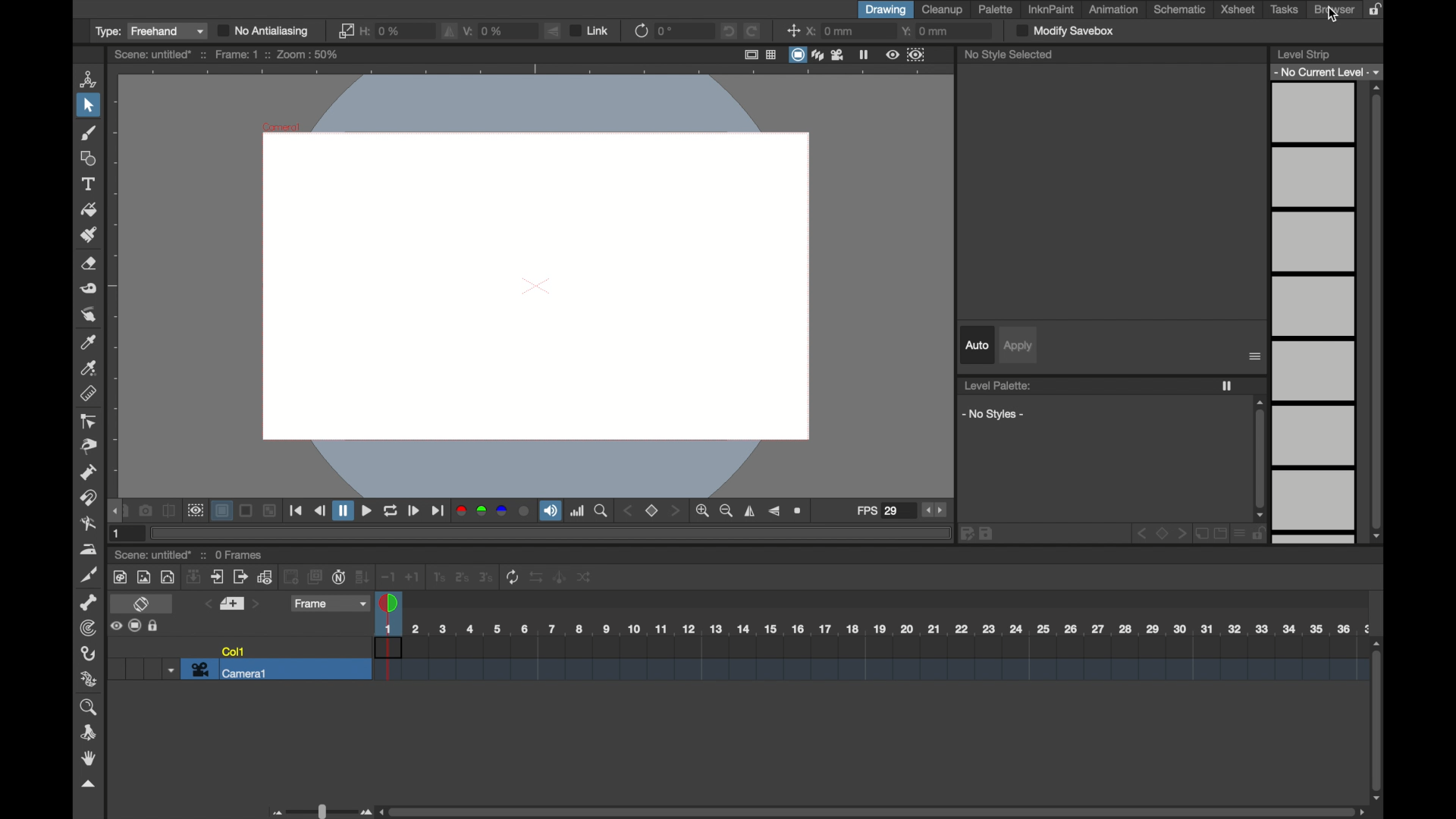 This screenshot has height=819, width=1456. I want to click on drag handle, so click(89, 783).